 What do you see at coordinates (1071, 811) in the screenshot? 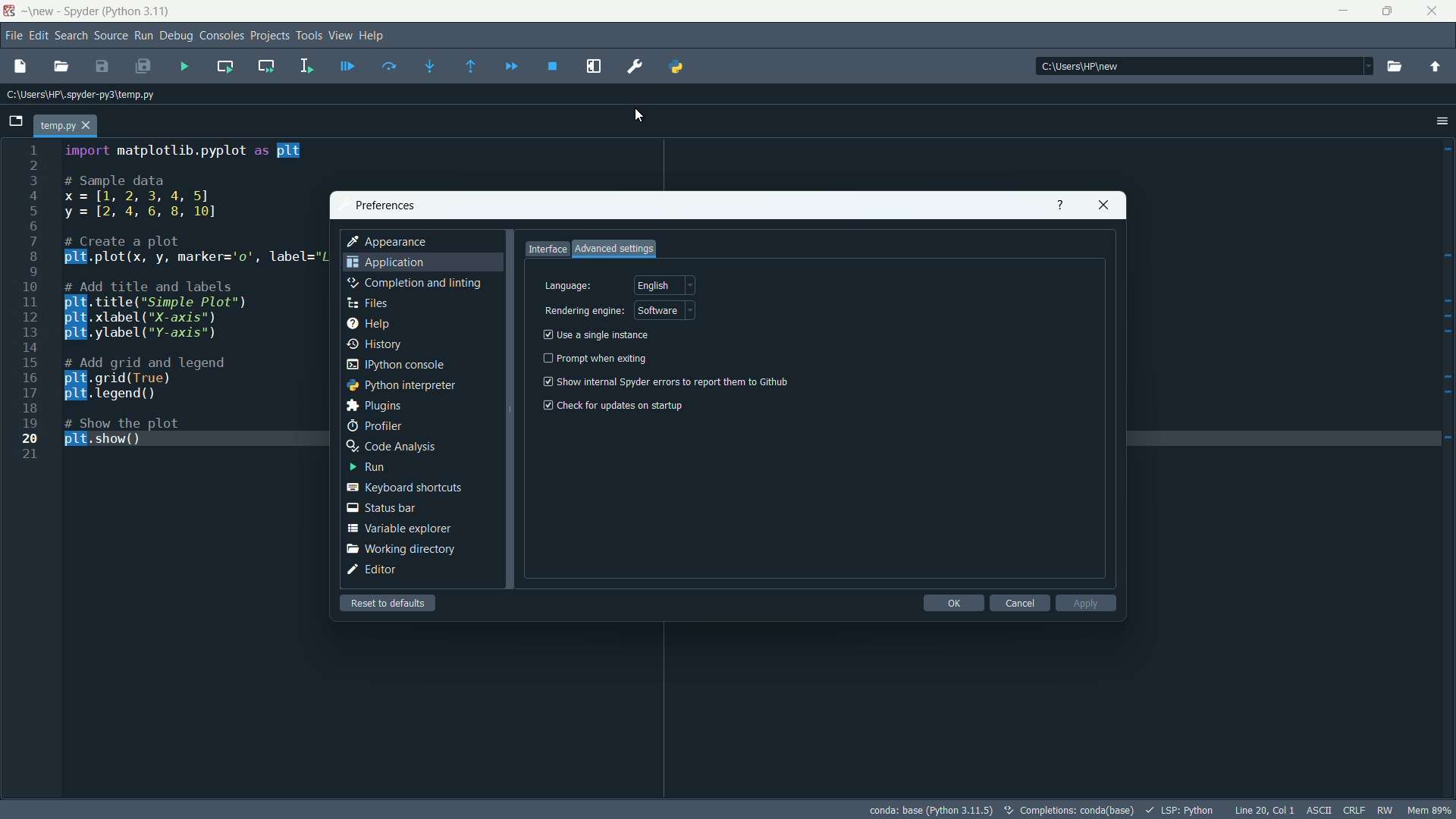
I see `text` at bounding box center [1071, 811].